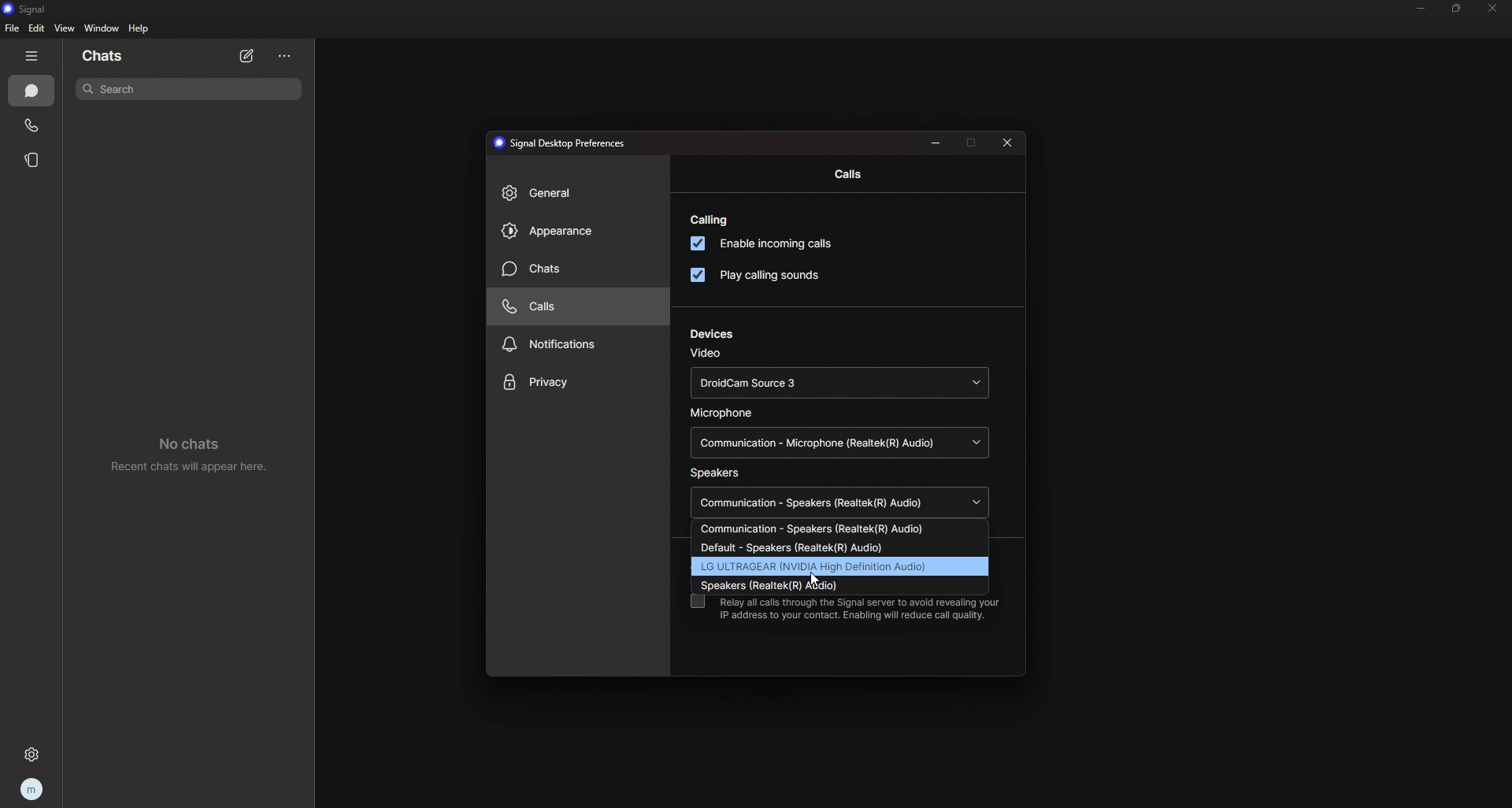 The image size is (1512, 808). I want to click on Communication - Speakers (Realtek (R) Audio), so click(839, 502).